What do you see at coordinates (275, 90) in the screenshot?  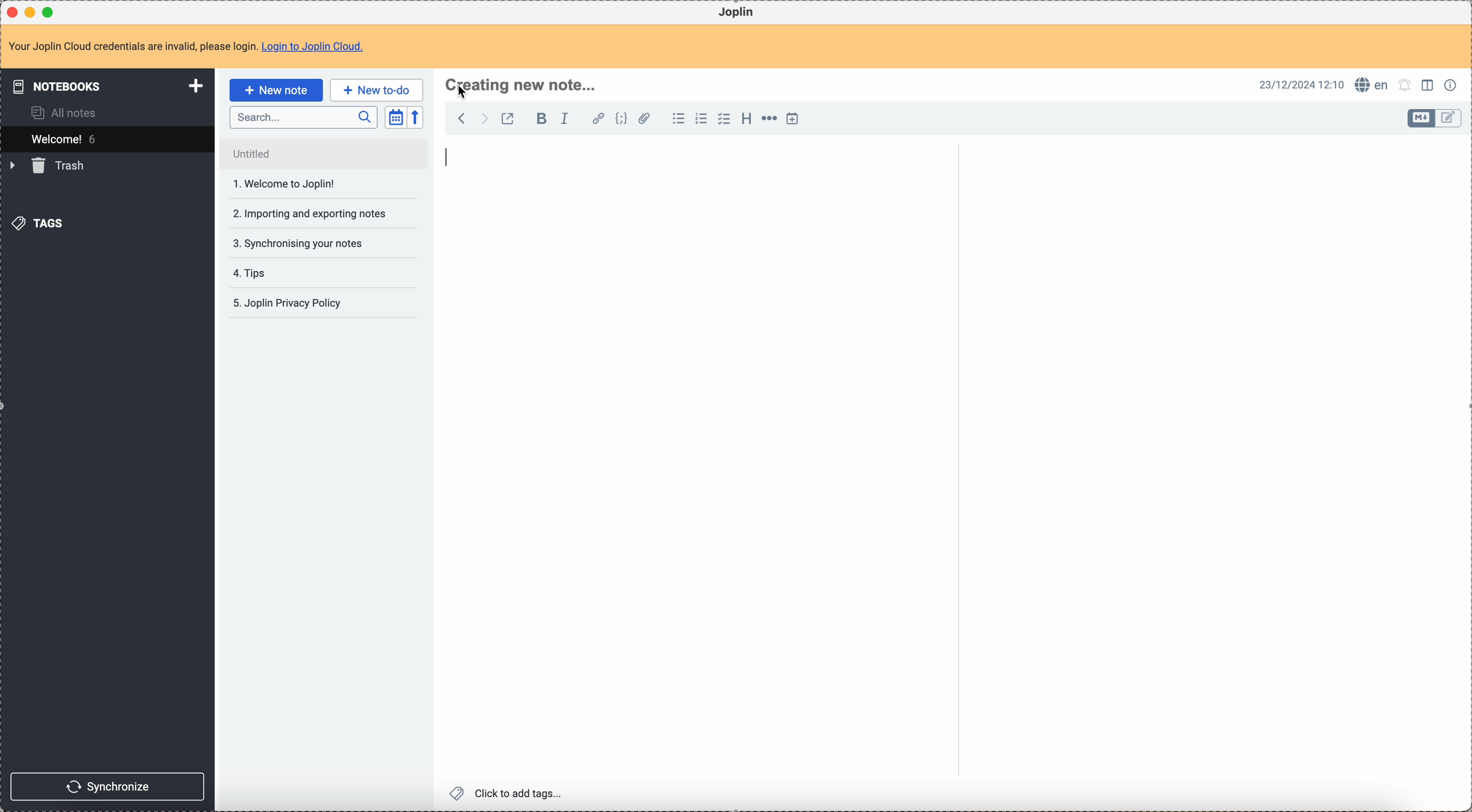 I see `click on new note` at bounding box center [275, 90].